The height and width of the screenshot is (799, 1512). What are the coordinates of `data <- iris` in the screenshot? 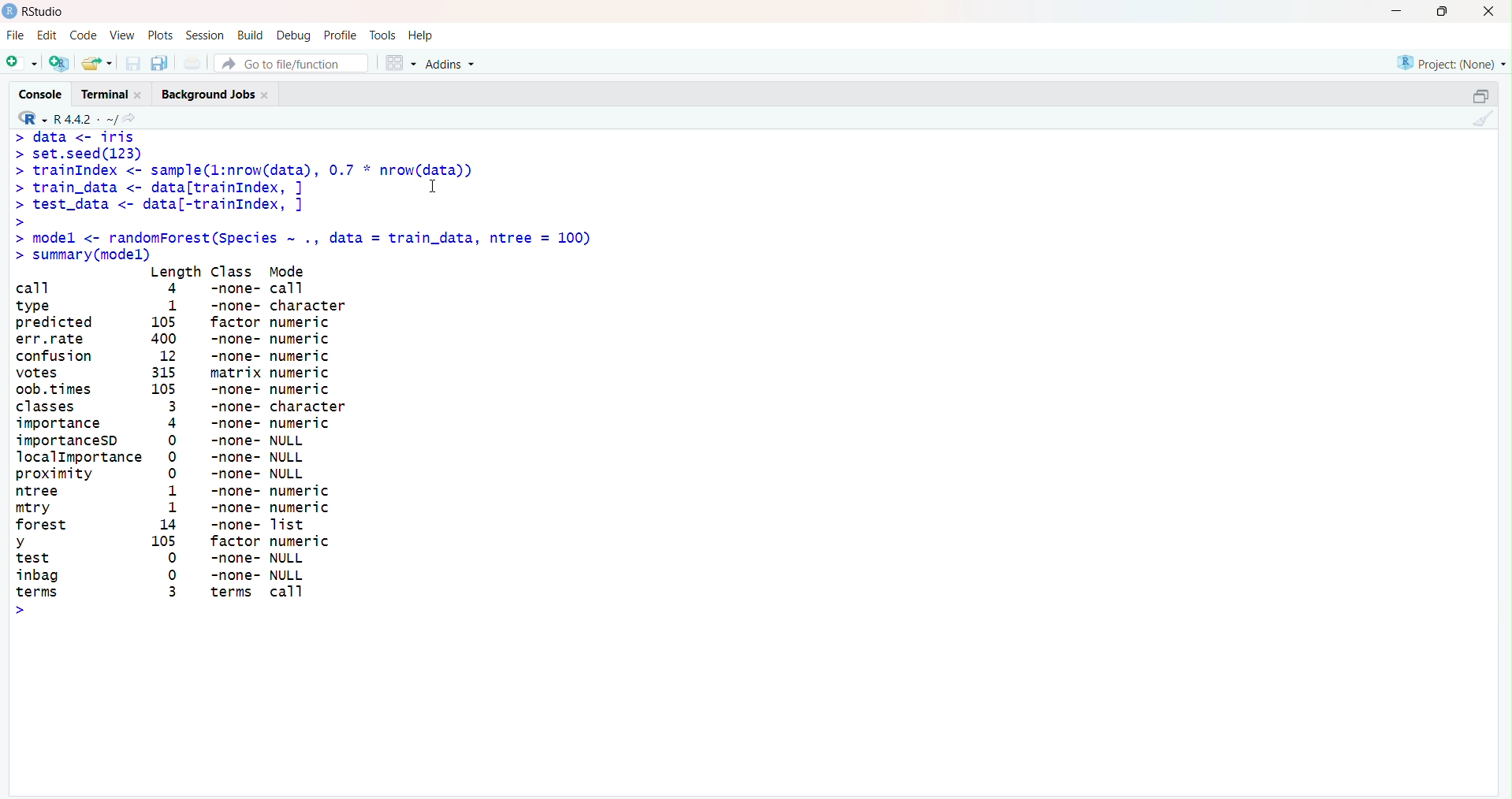 It's located at (85, 136).